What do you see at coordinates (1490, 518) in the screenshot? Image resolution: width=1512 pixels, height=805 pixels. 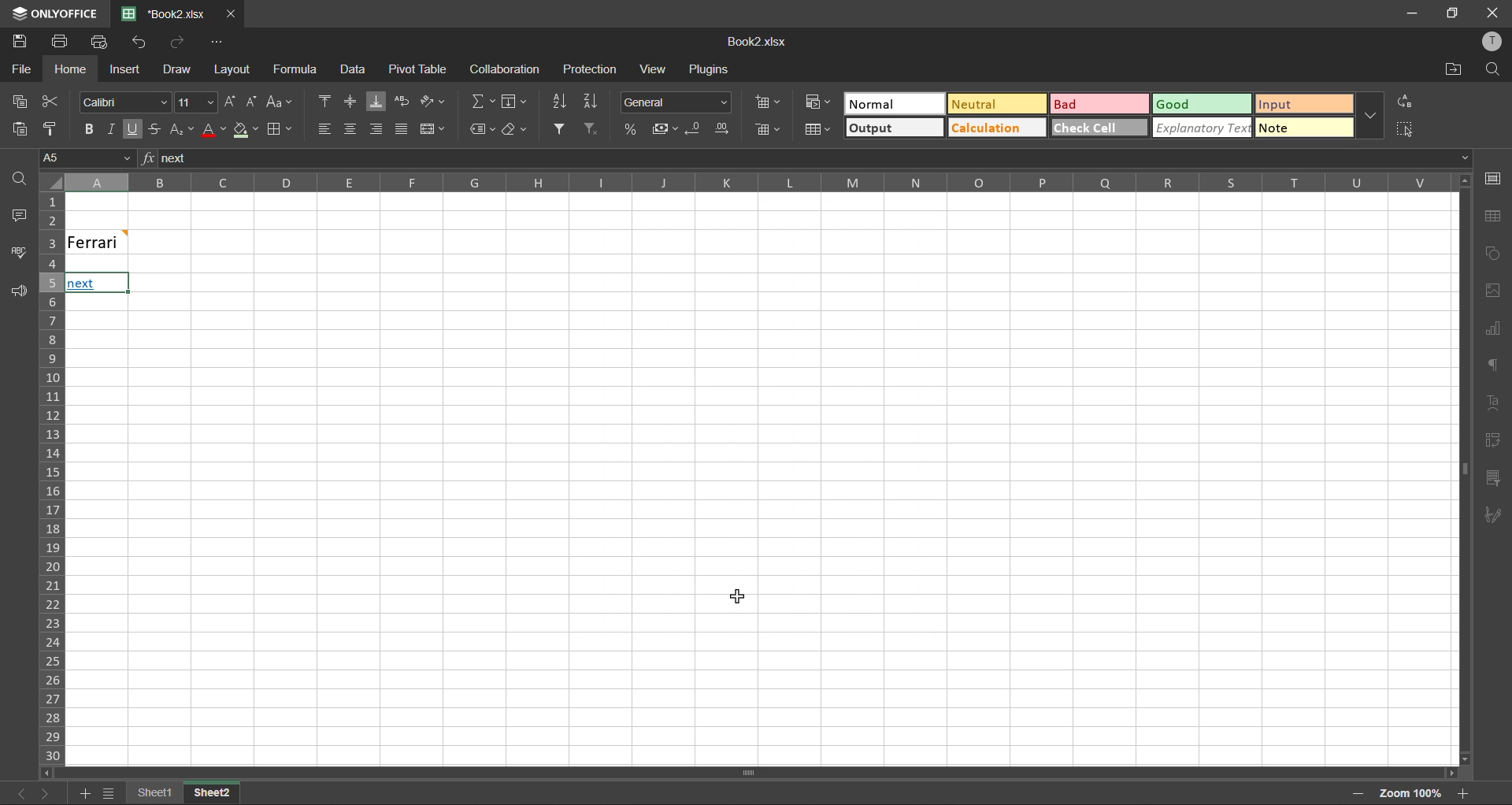 I see `signature` at bounding box center [1490, 518].